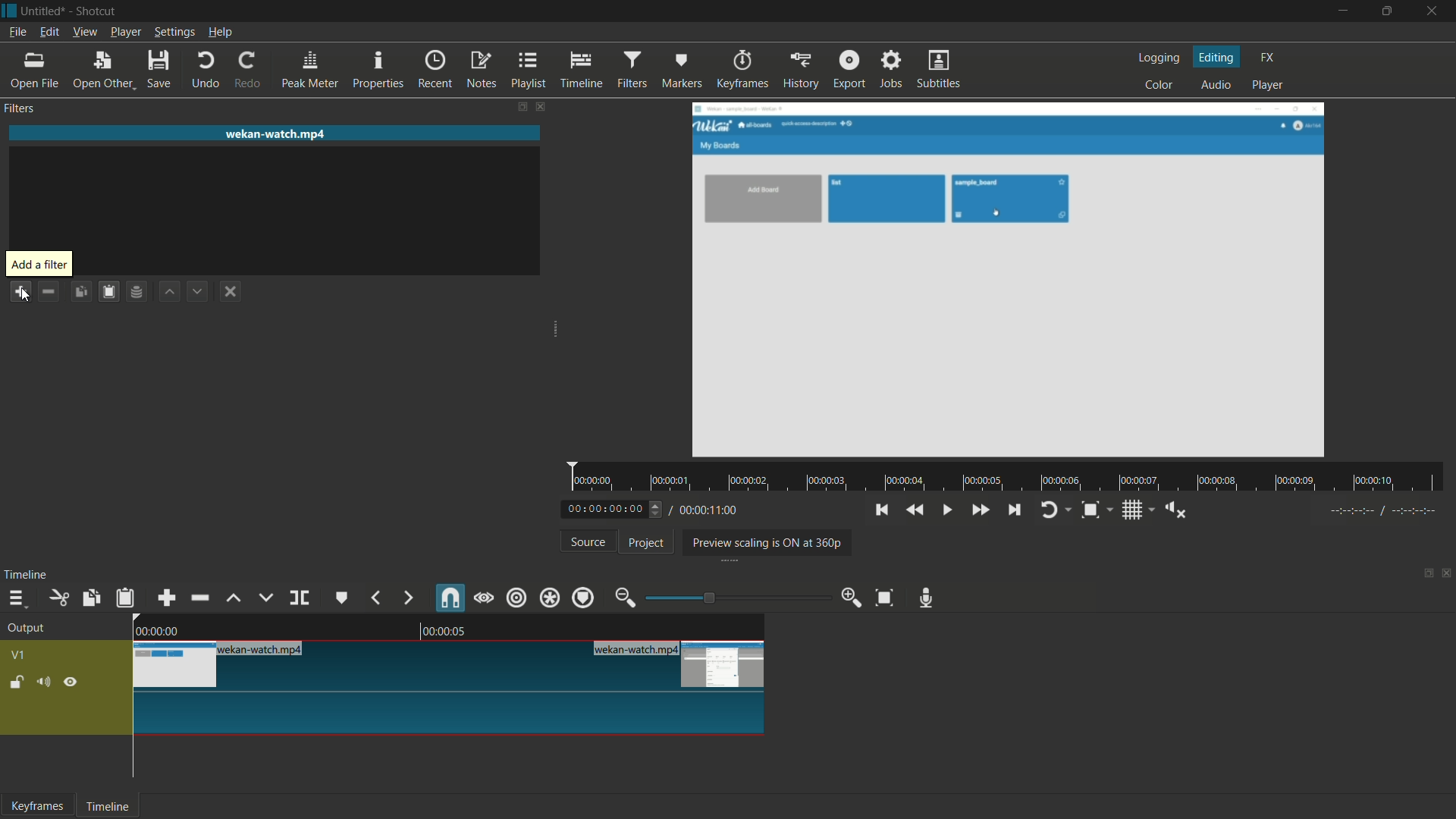 The height and width of the screenshot is (819, 1456). What do you see at coordinates (624, 597) in the screenshot?
I see `zoom out` at bounding box center [624, 597].